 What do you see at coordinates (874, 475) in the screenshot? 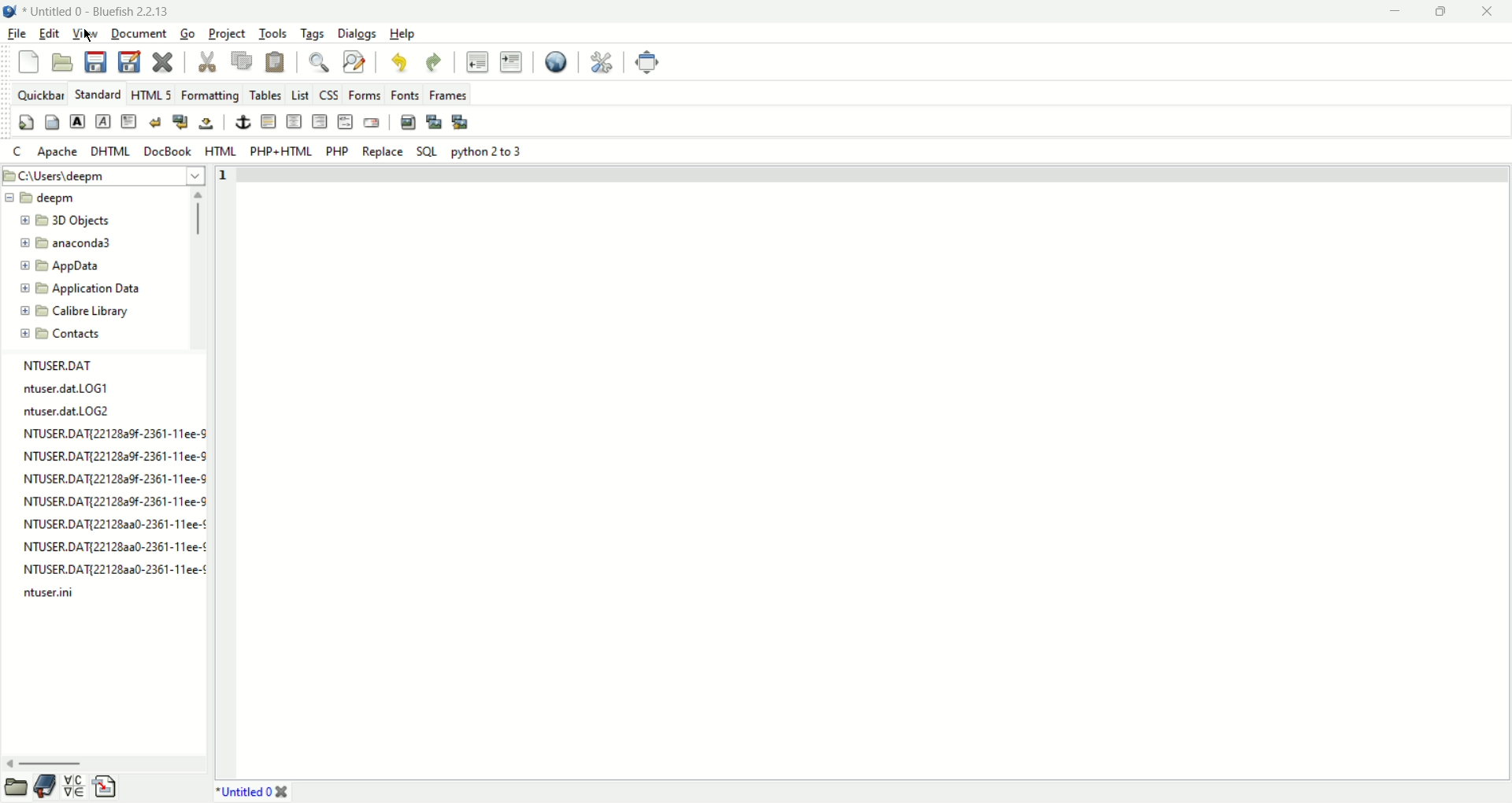
I see `editor` at bounding box center [874, 475].